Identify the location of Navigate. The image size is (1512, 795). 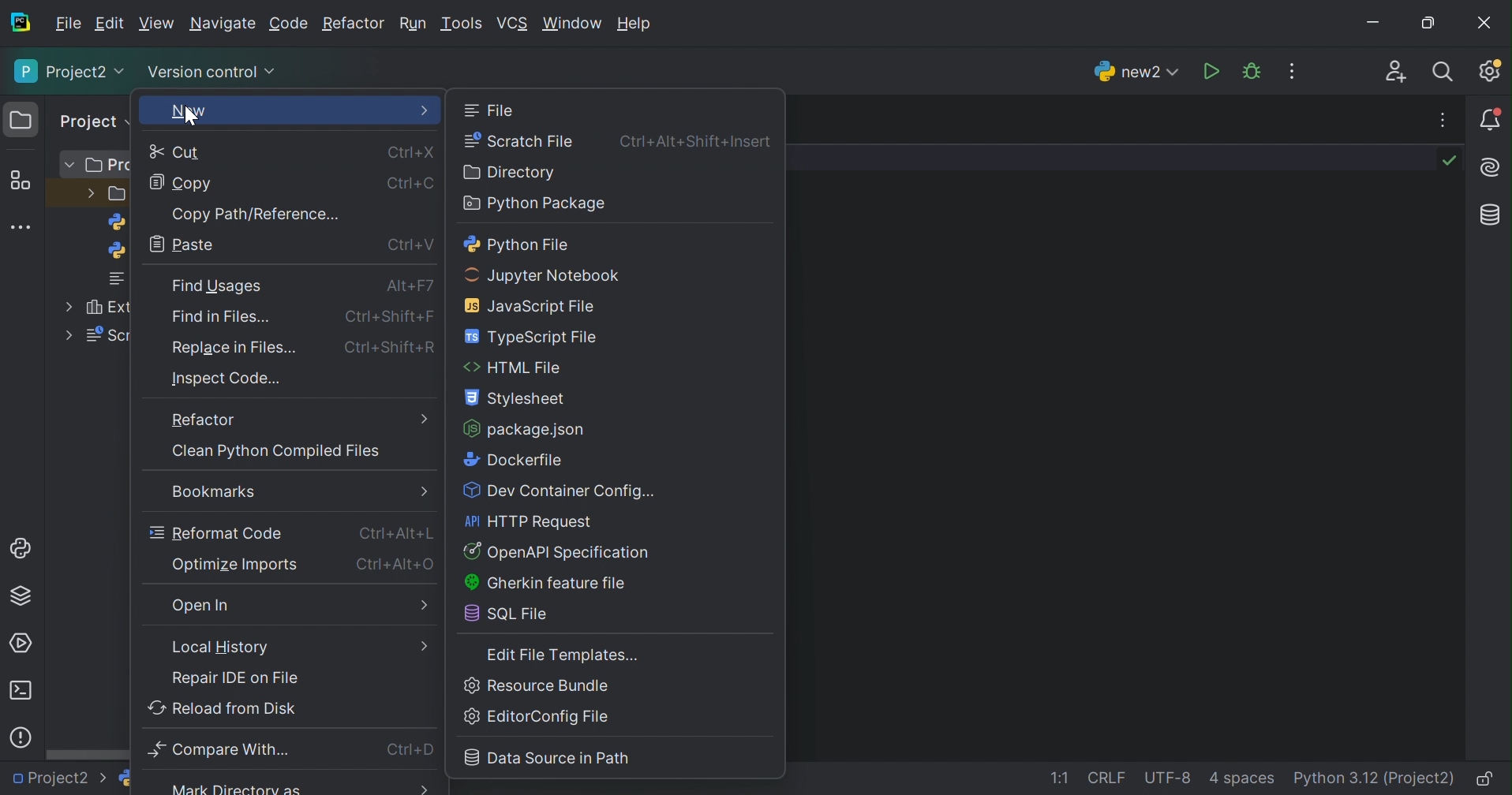
(225, 24).